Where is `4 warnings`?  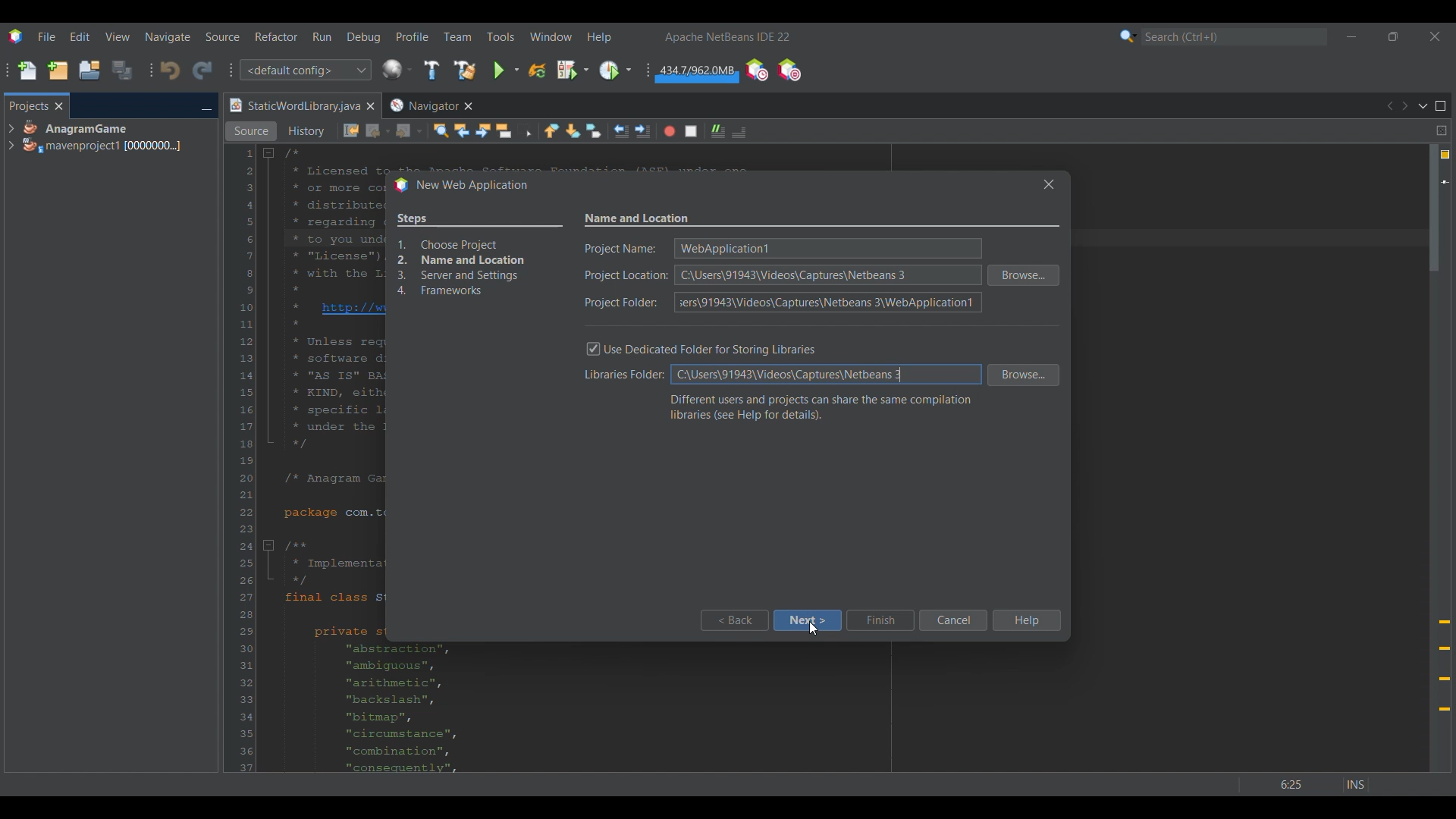 4 warnings is located at coordinates (1445, 155).